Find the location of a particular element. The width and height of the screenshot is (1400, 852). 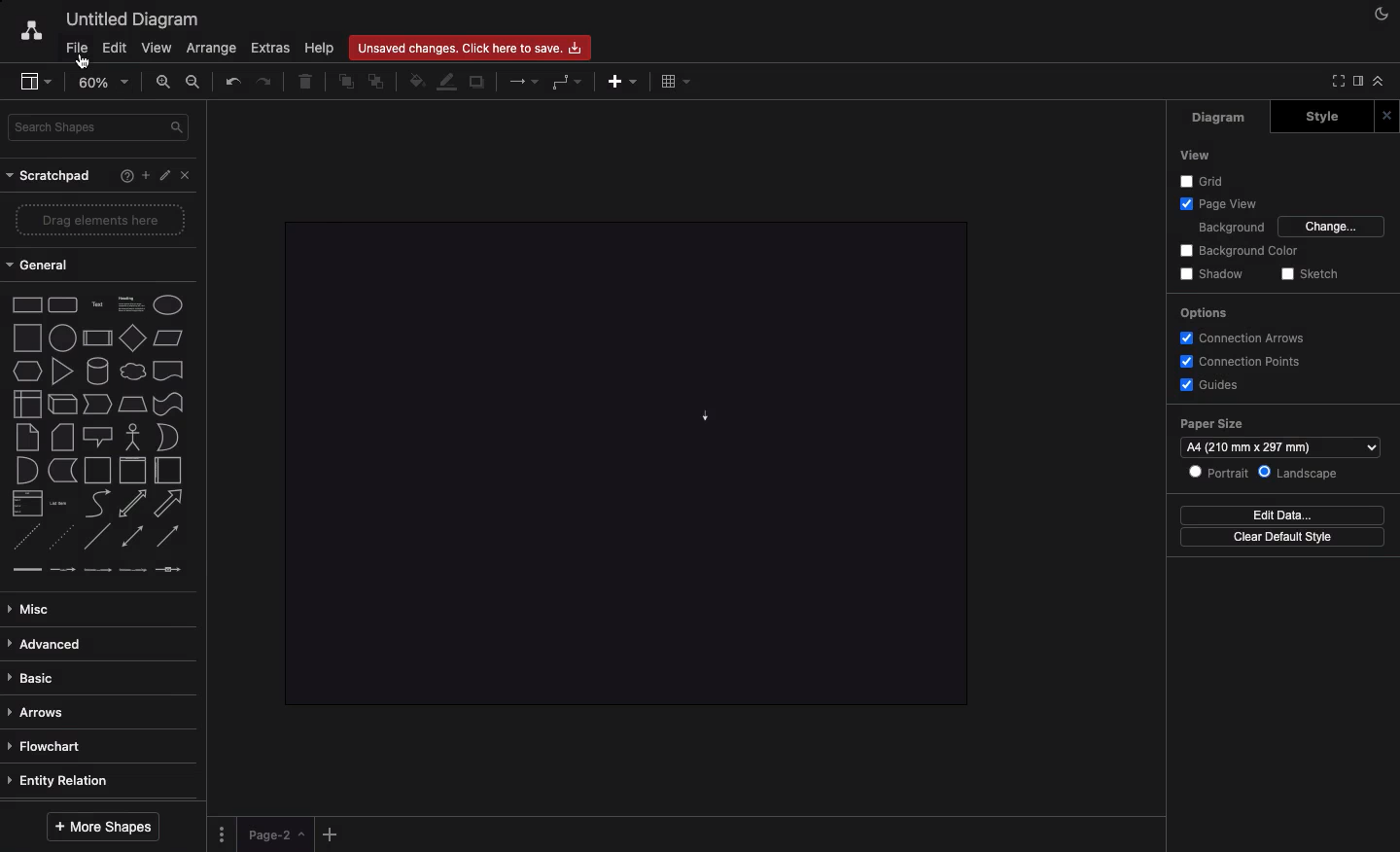

Collapse is located at coordinates (1379, 80).